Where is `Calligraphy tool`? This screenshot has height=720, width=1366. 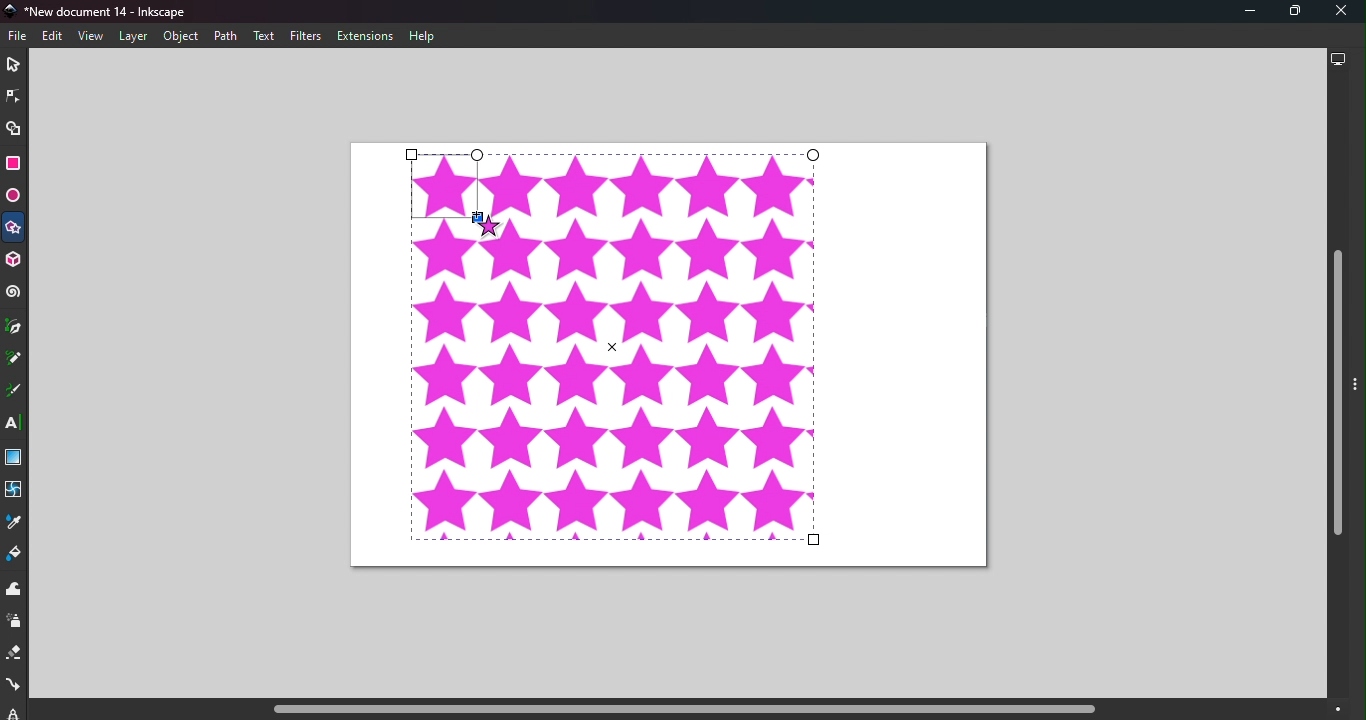
Calligraphy tool is located at coordinates (14, 392).